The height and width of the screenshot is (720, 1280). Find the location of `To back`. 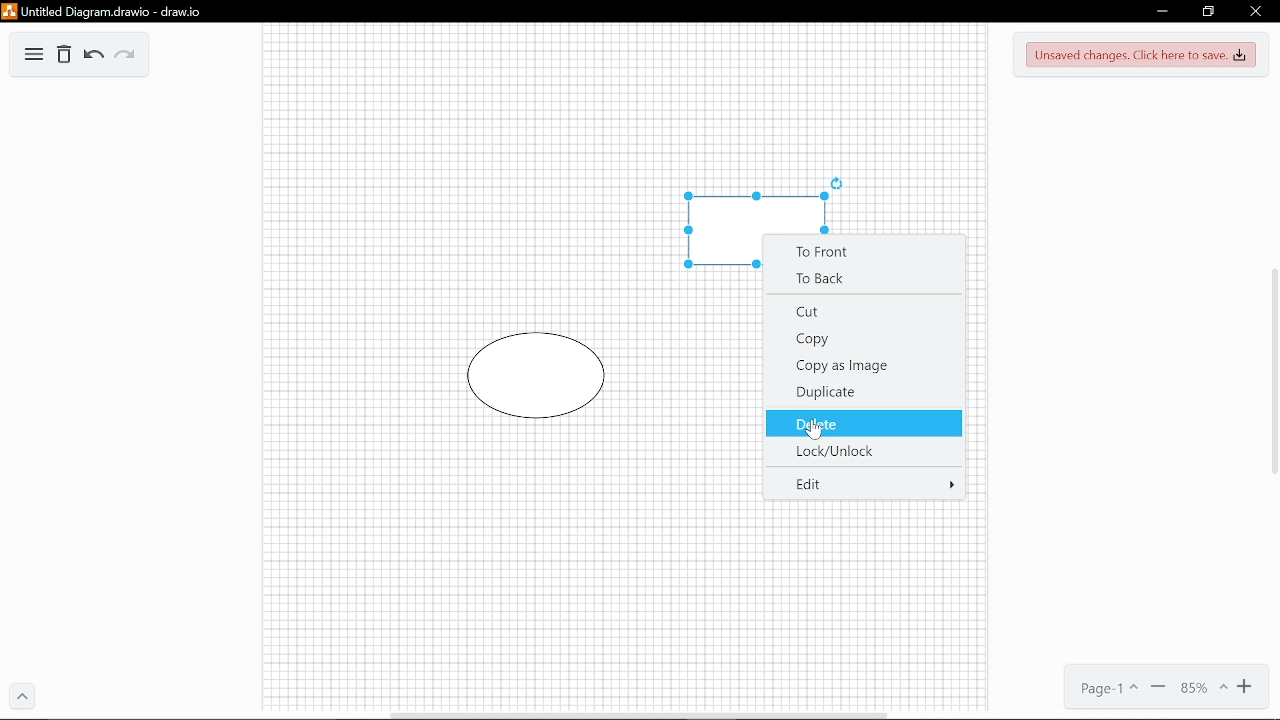

To back is located at coordinates (866, 279).